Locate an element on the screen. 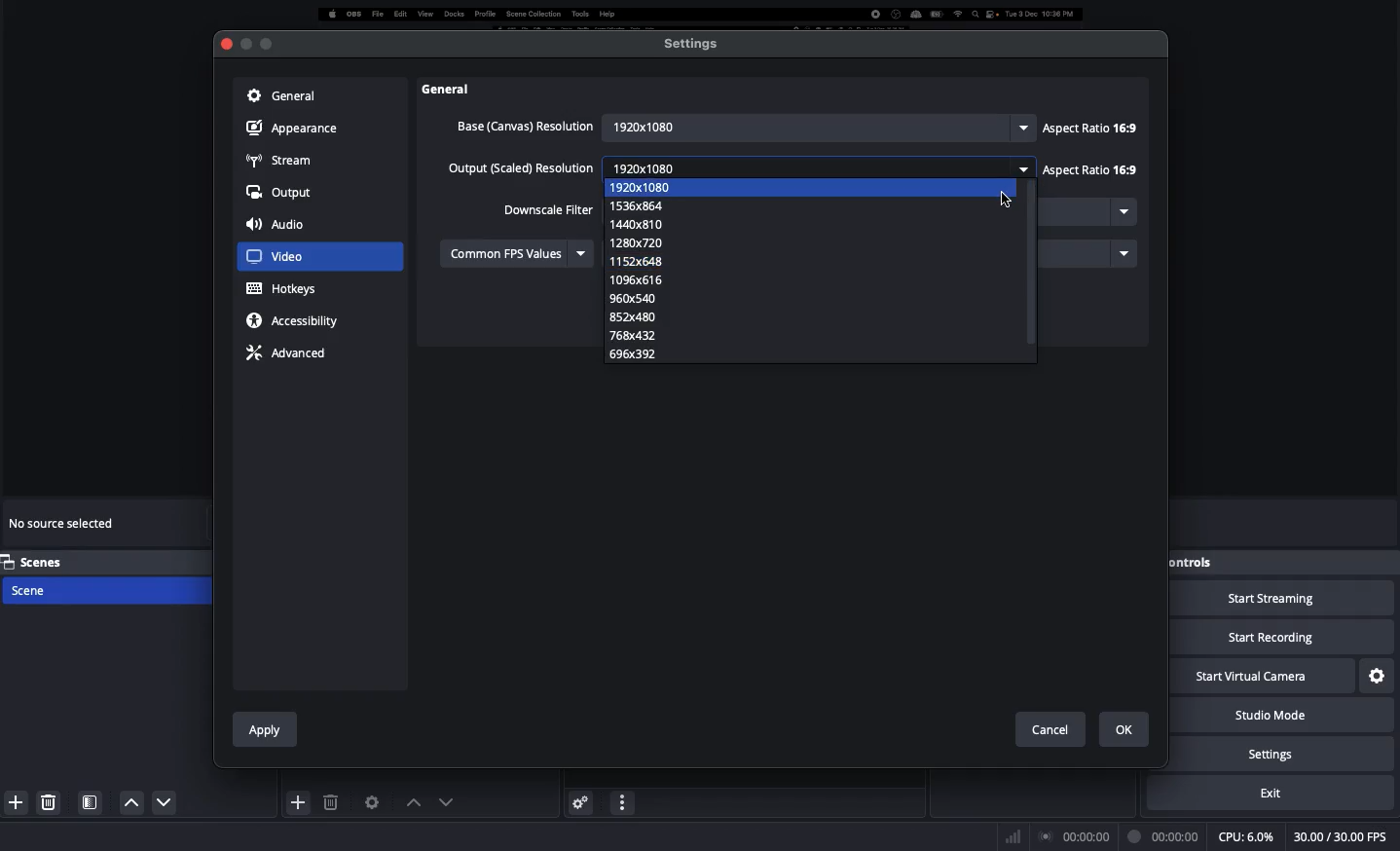 This screenshot has width=1400, height=851. Scroll is located at coordinates (1150, 385).